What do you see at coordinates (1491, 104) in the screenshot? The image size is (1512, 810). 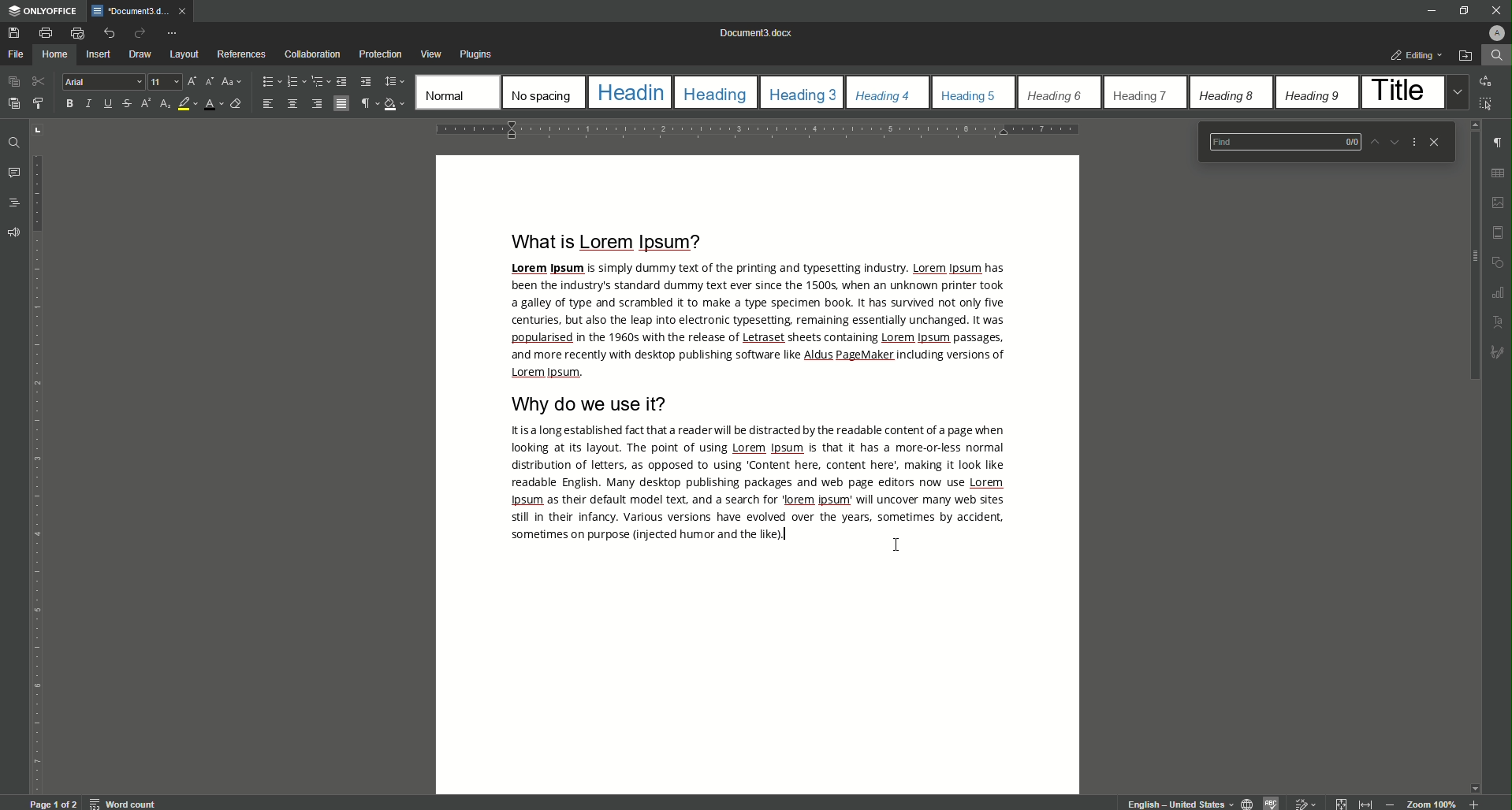 I see `Select` at bounding box center [1491, 104].